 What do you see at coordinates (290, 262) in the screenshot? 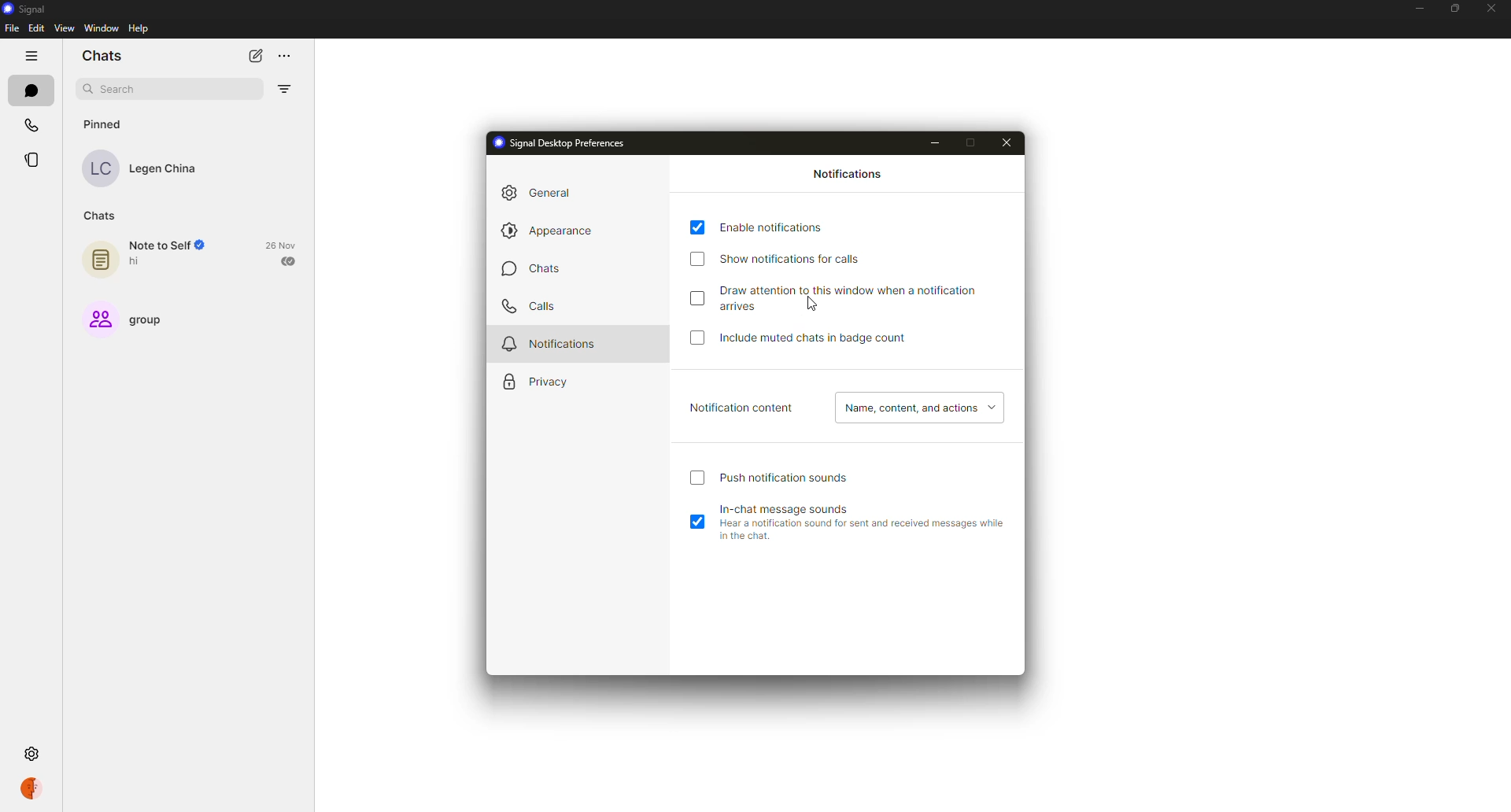
I see `sent` at bounding box center [290, 262].